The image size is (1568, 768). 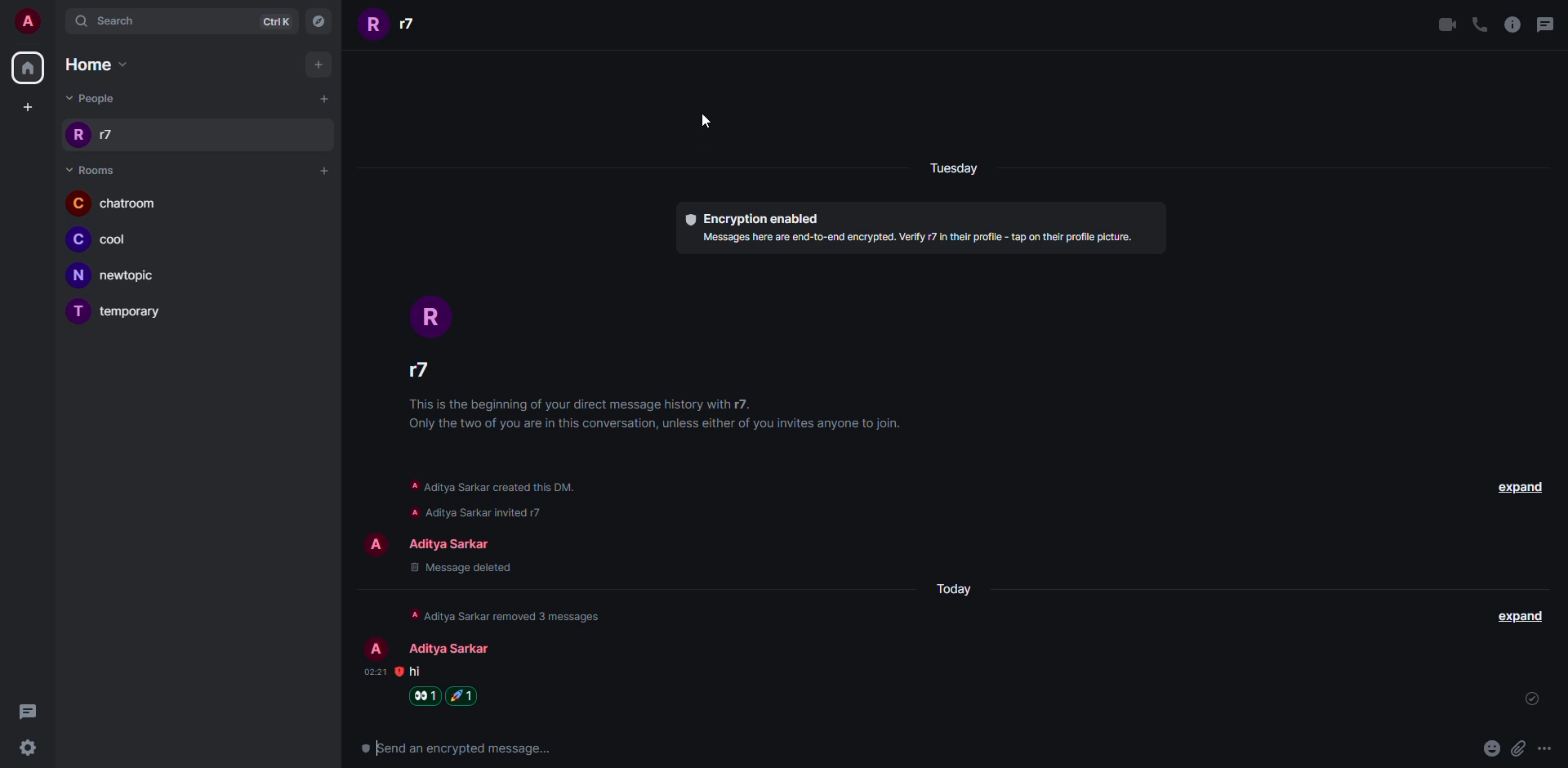 I want to click on people, so click(x=459, y=542).